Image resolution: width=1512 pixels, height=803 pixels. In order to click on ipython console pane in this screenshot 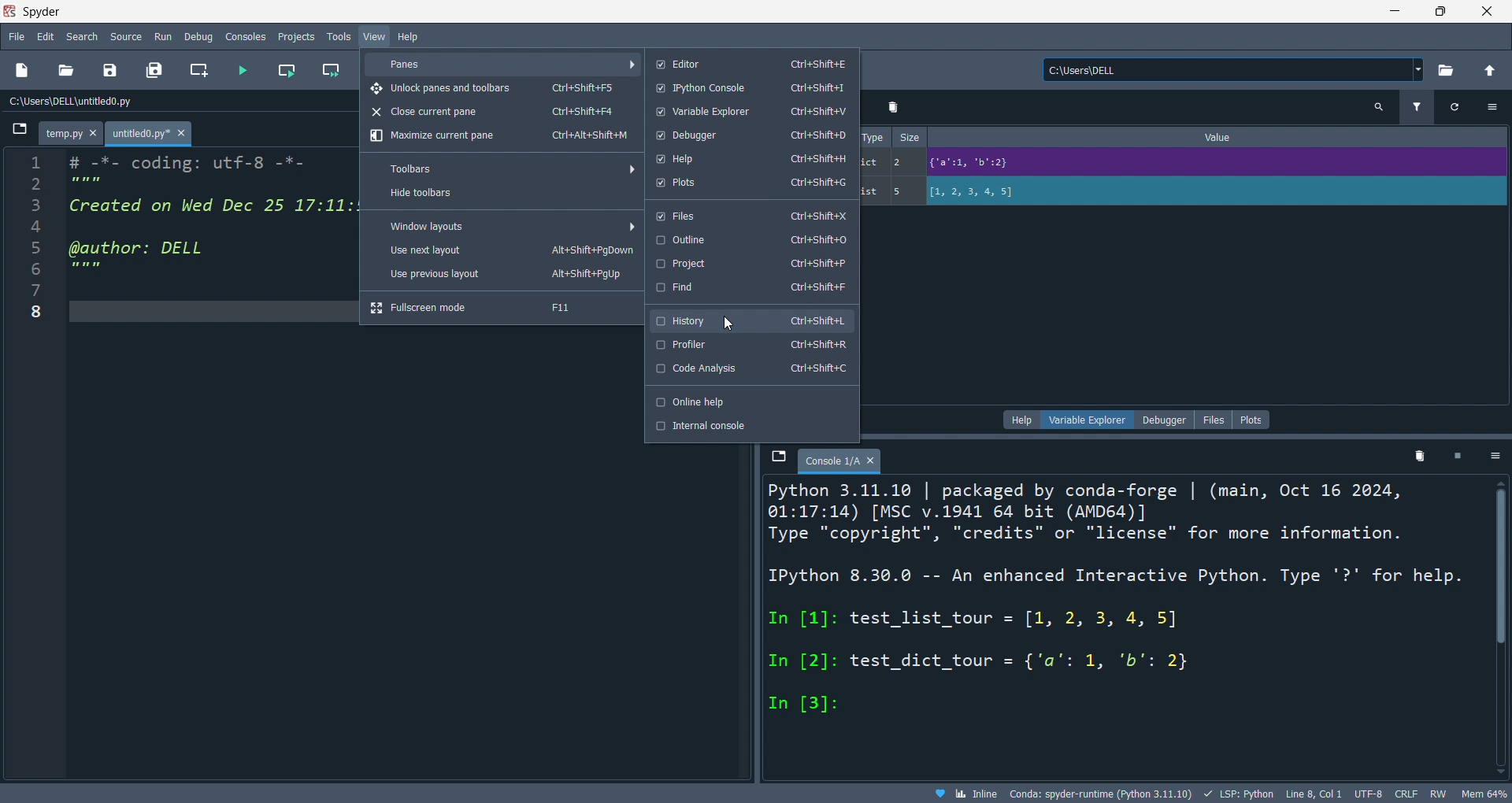, I will do `click(1118, 626)`.